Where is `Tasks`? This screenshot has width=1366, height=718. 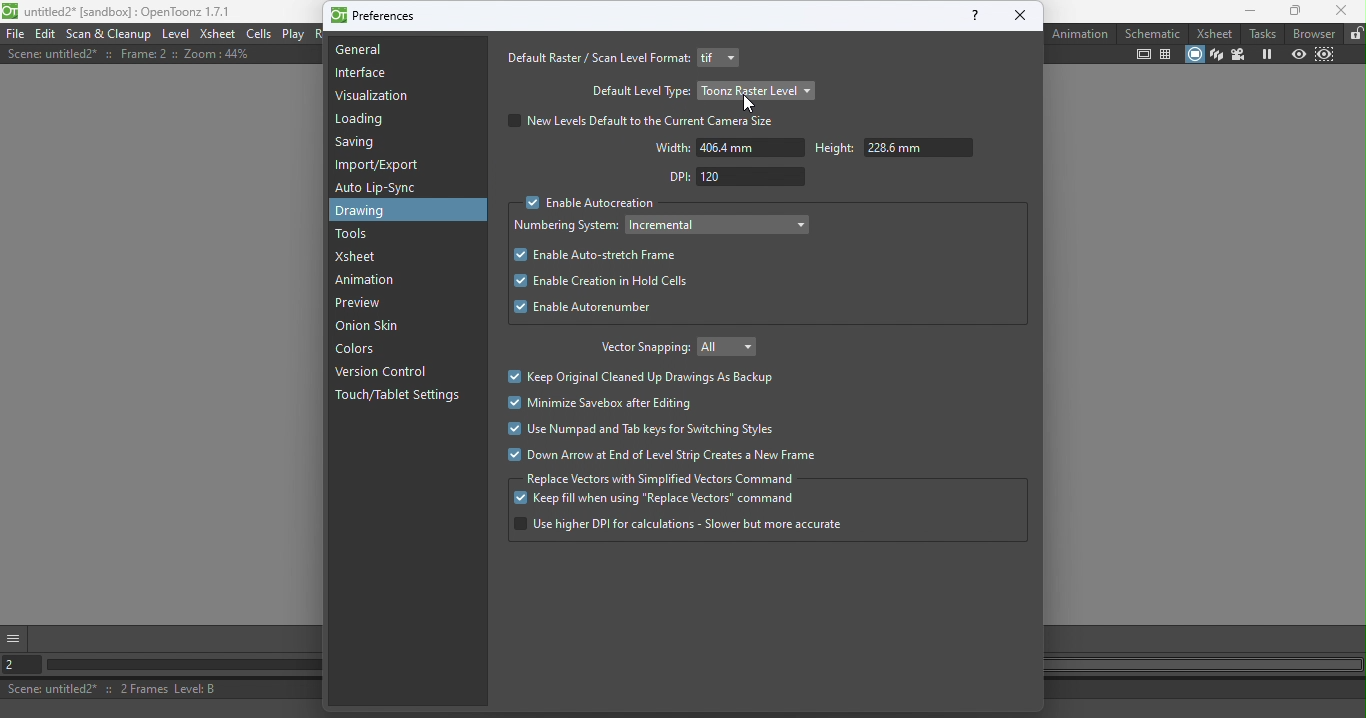 Tasks is located at coordinates (1262, 32).